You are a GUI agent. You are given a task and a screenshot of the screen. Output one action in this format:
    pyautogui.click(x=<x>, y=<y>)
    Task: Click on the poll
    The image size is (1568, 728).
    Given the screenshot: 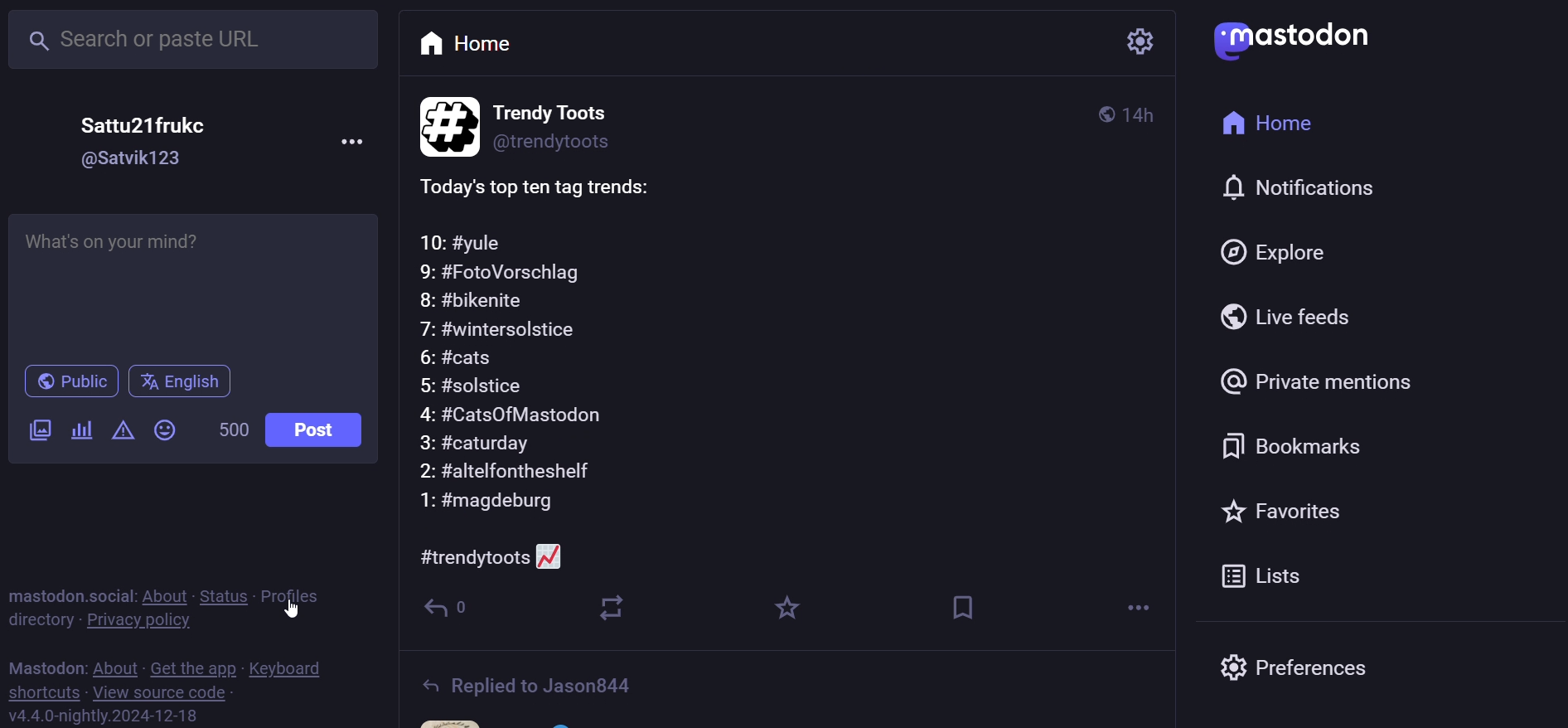 What is the action you would take?
    pyautogui.click(x=81, y=431)
    